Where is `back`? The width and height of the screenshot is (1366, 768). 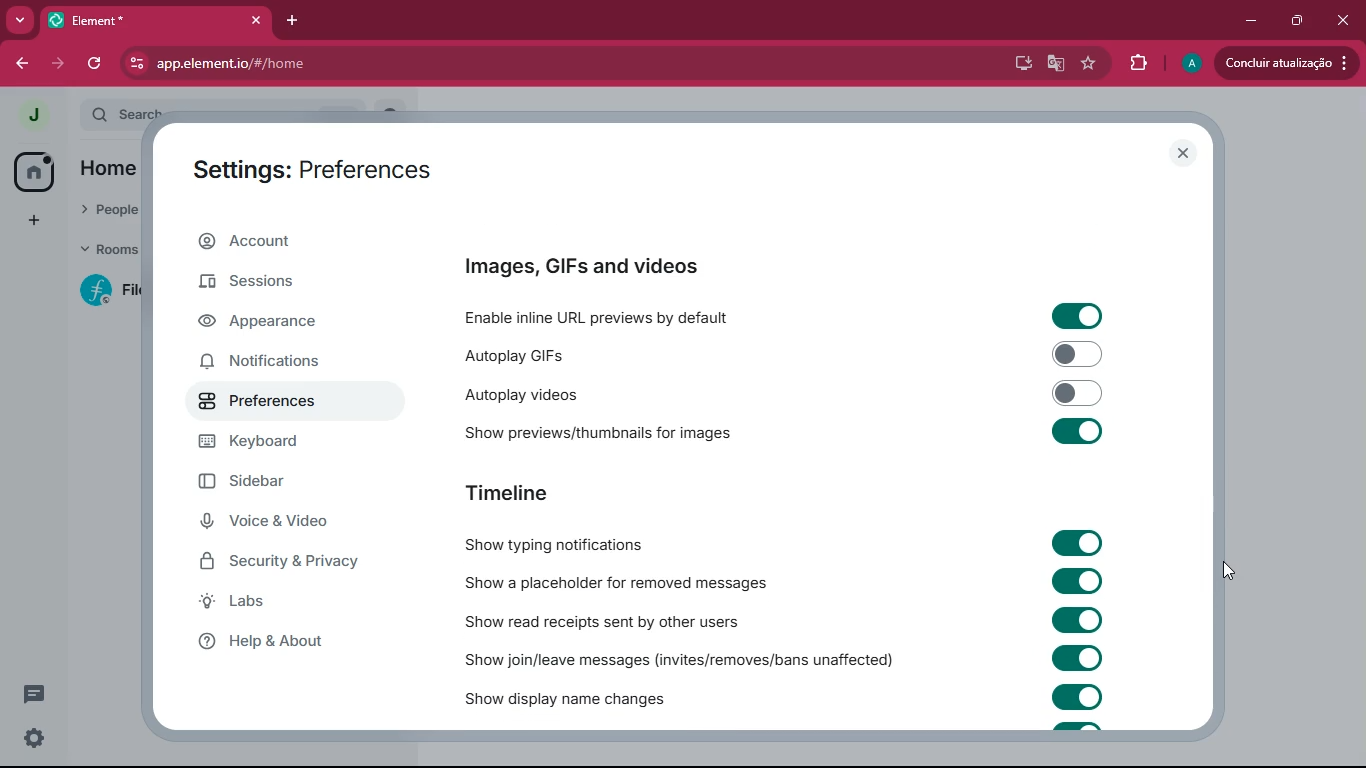
back is located at coordinates (24, 64).